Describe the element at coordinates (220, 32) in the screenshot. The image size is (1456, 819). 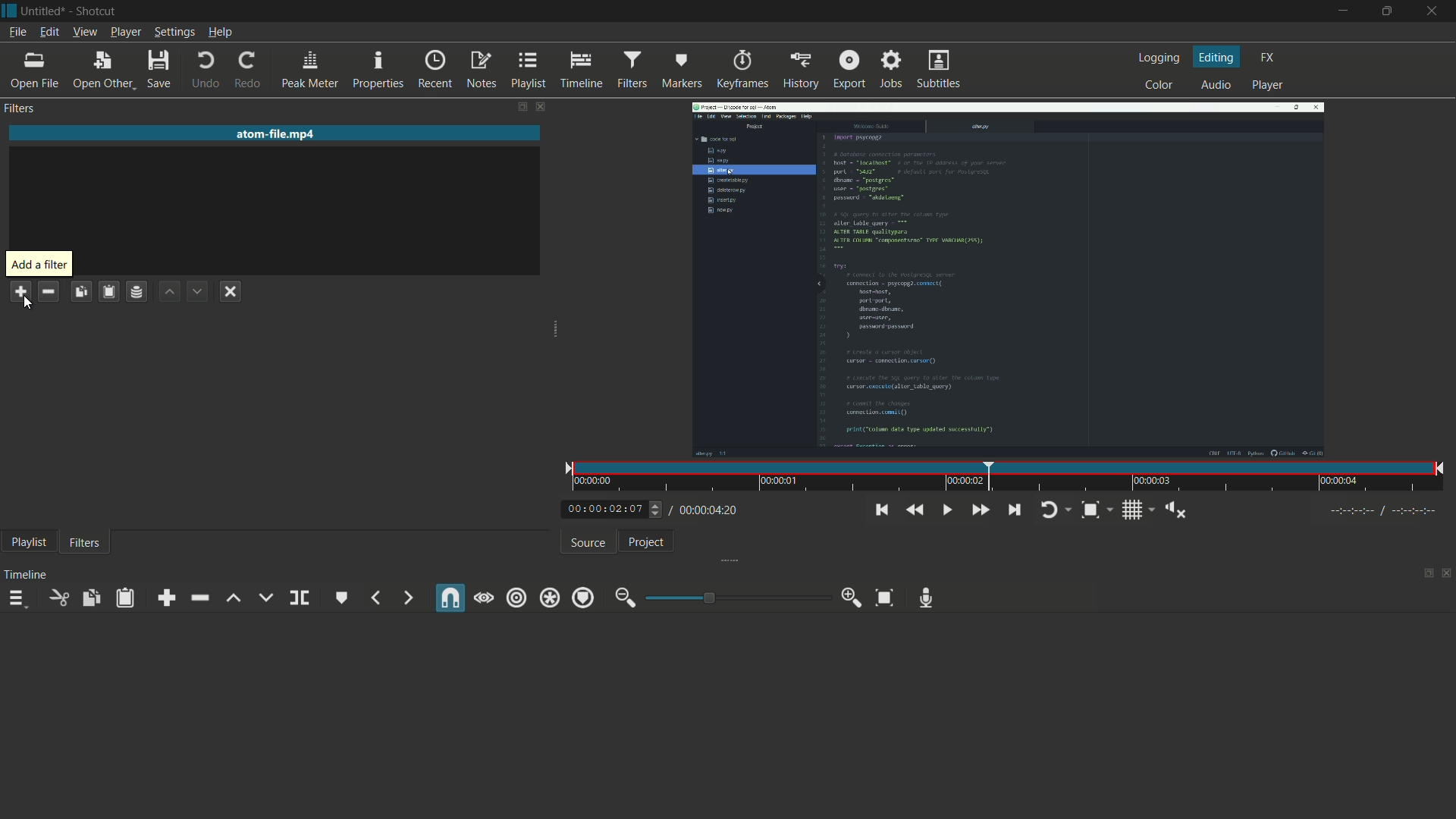
I see `help menu` at that location.